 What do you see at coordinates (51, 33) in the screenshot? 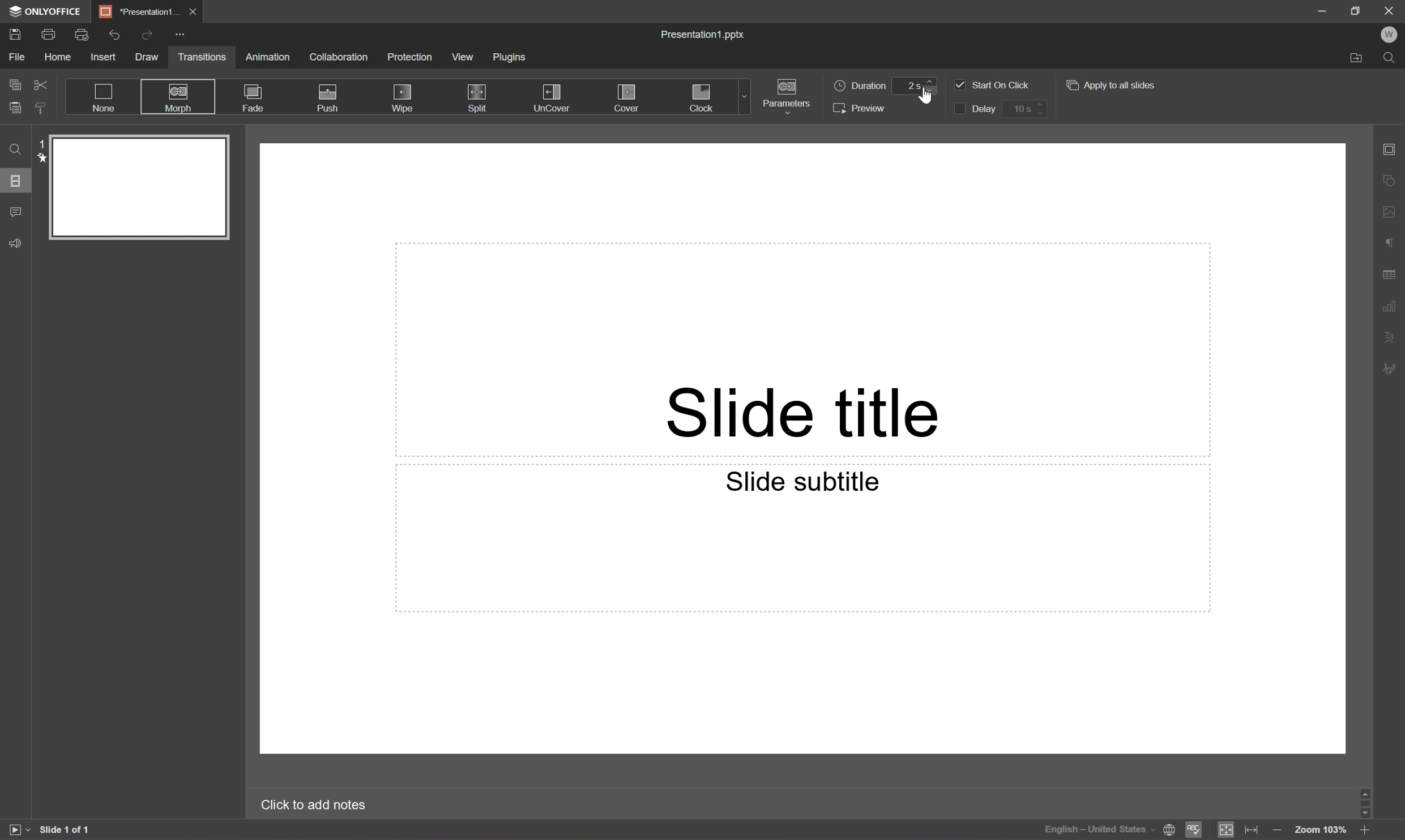
I see `Print a file` at bounding box center [51, 33].